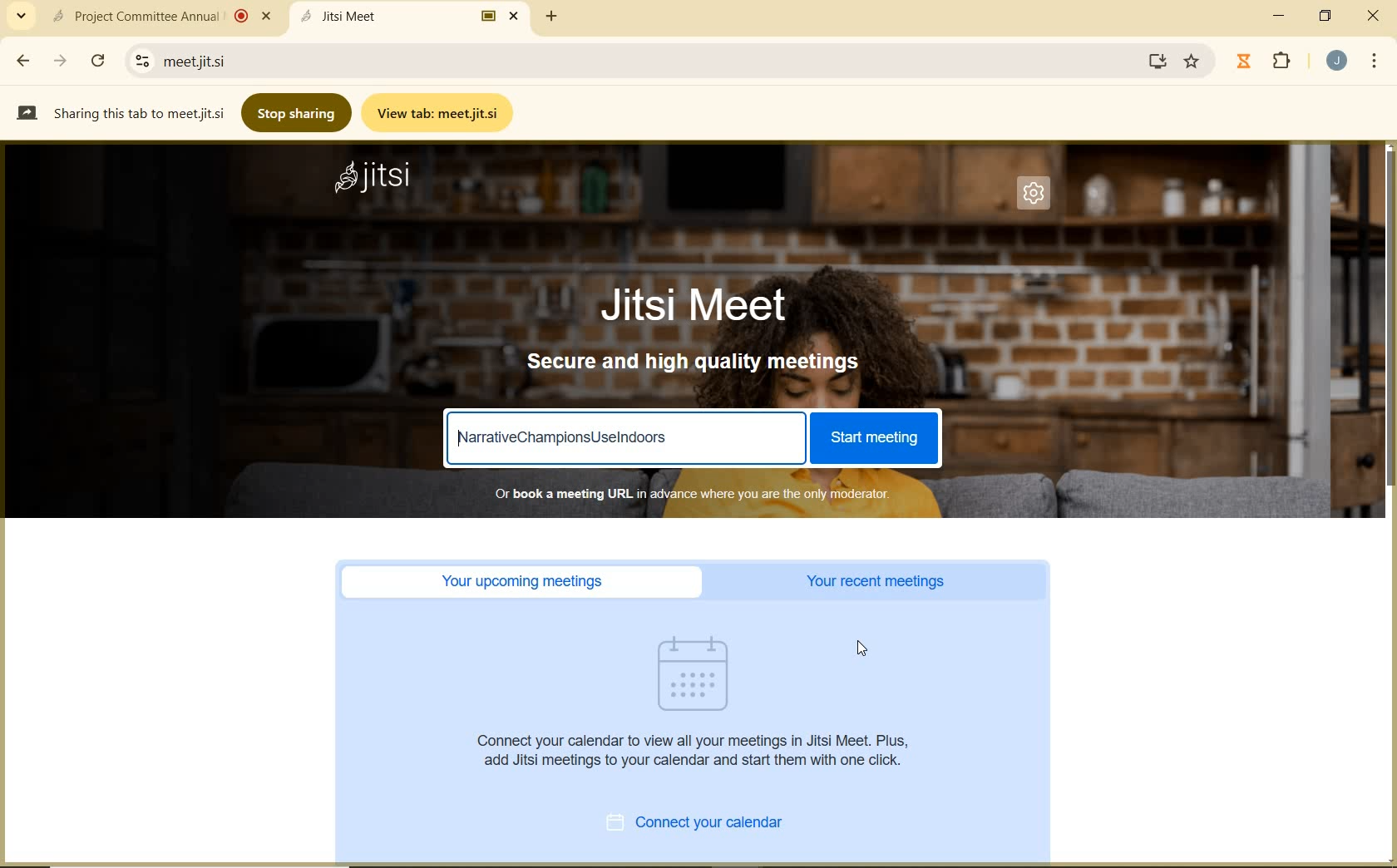 The width and height of the screenshot is (1397, 868). Describe the element at coordinates (695, 362) in the screenshot. I see `SECURE AND HIGH QUALITY MEETINGS` at that location.